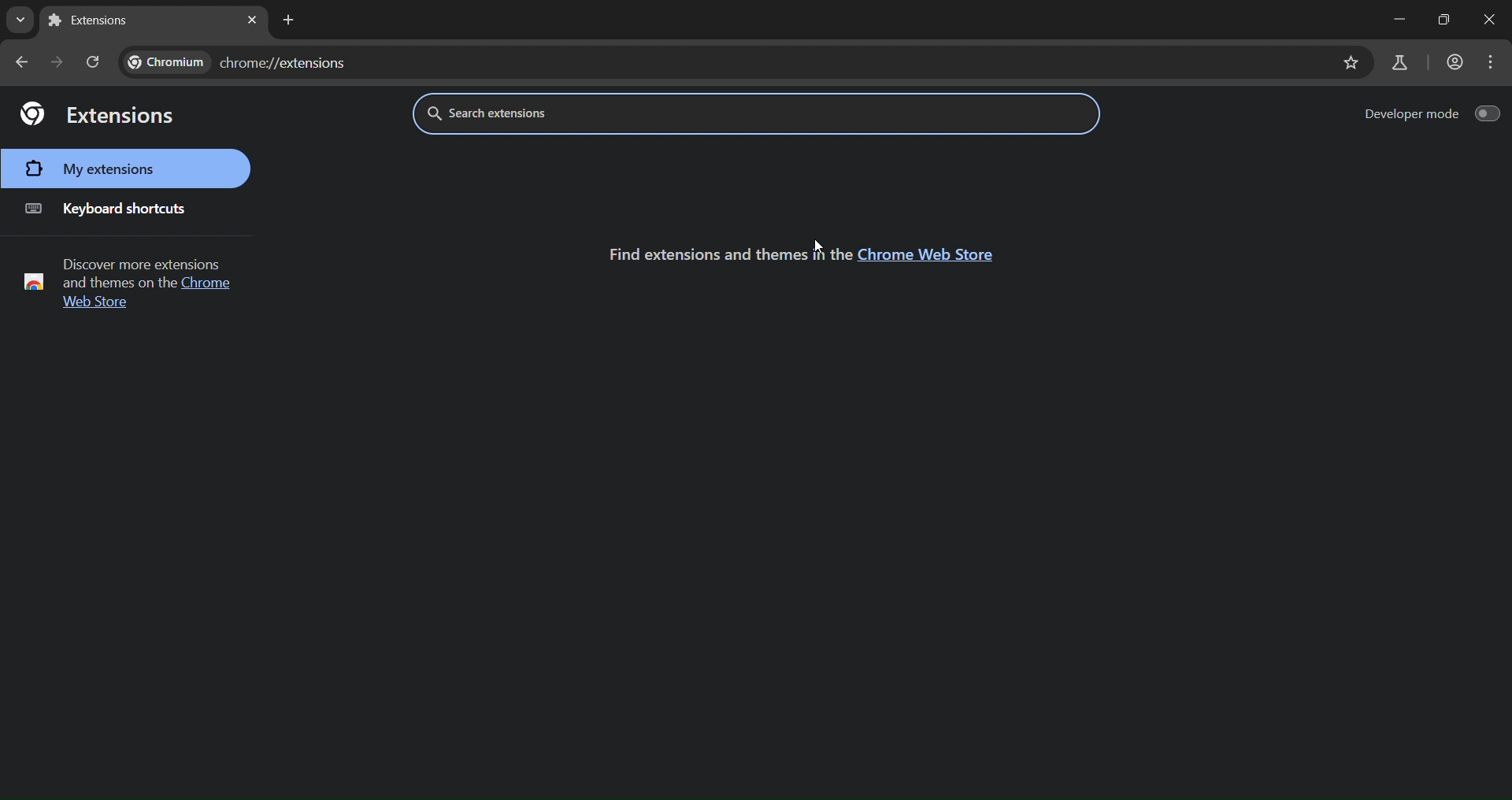 This screenshot has height=800, width=1512. I want to click on close, so click(1495, 14).